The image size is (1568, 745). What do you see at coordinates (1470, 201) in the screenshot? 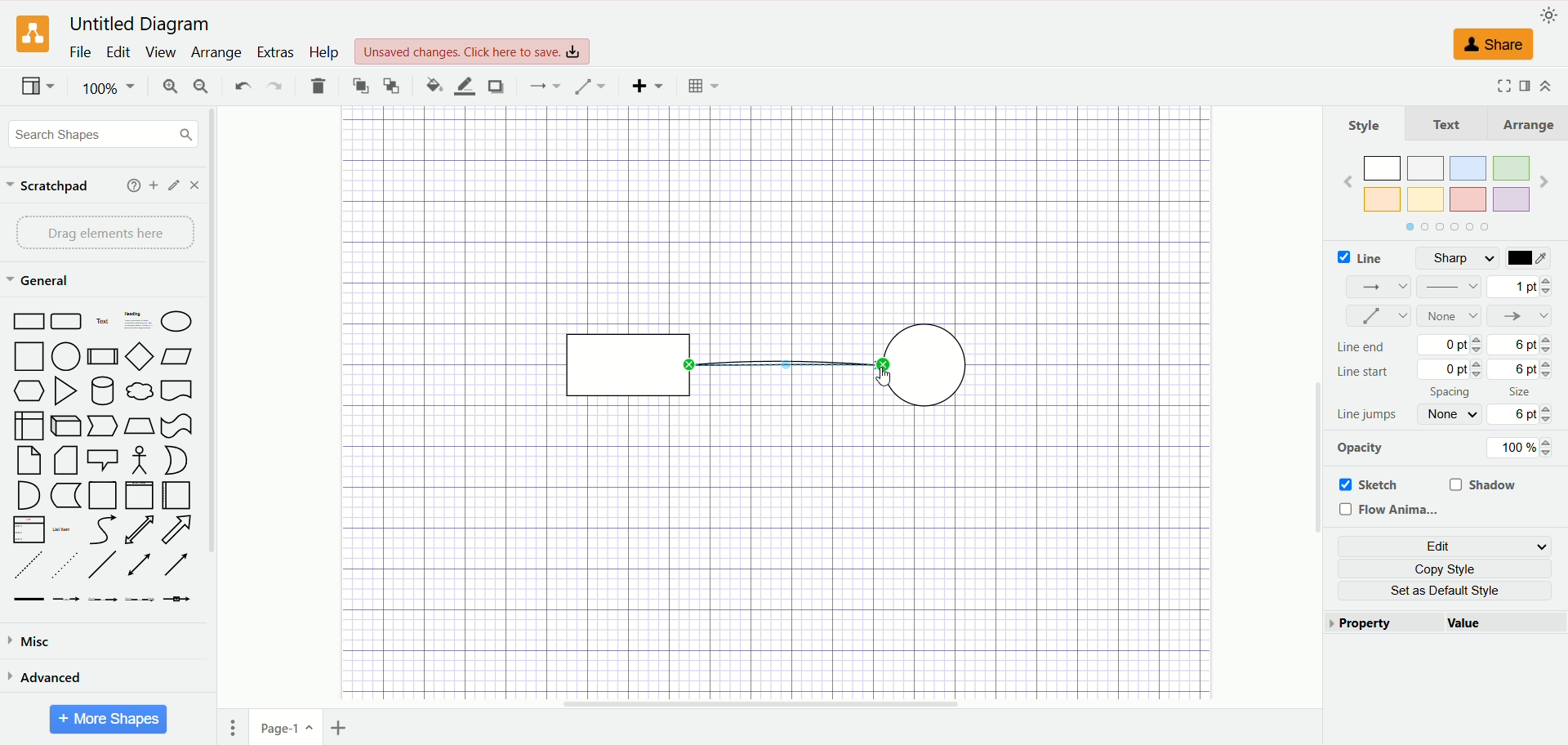
I see `Color 7` at bounding box center [1470, 201].